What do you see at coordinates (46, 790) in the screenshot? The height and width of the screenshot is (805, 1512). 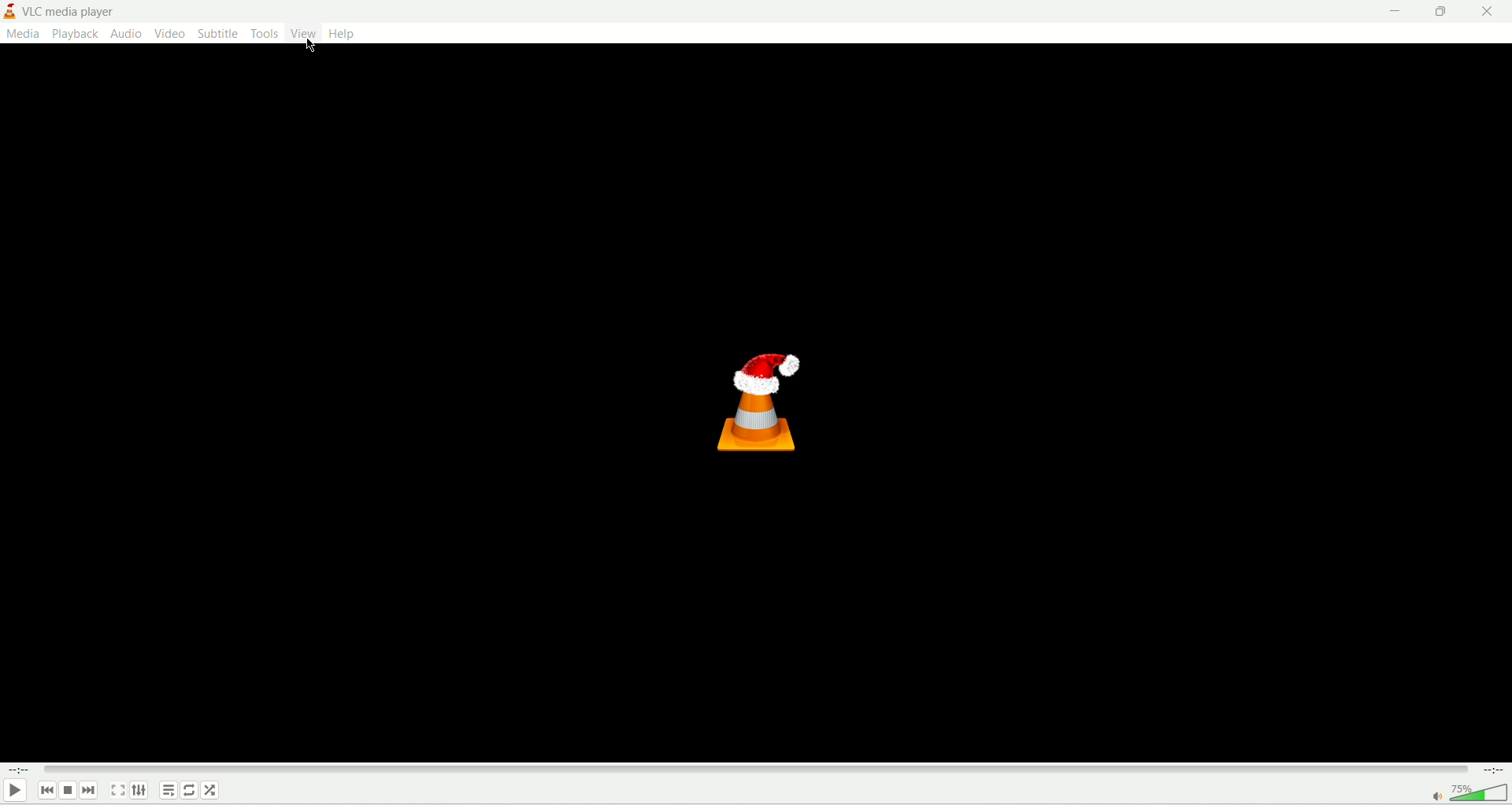 I see `Previous` at bounding box center [46, 790].